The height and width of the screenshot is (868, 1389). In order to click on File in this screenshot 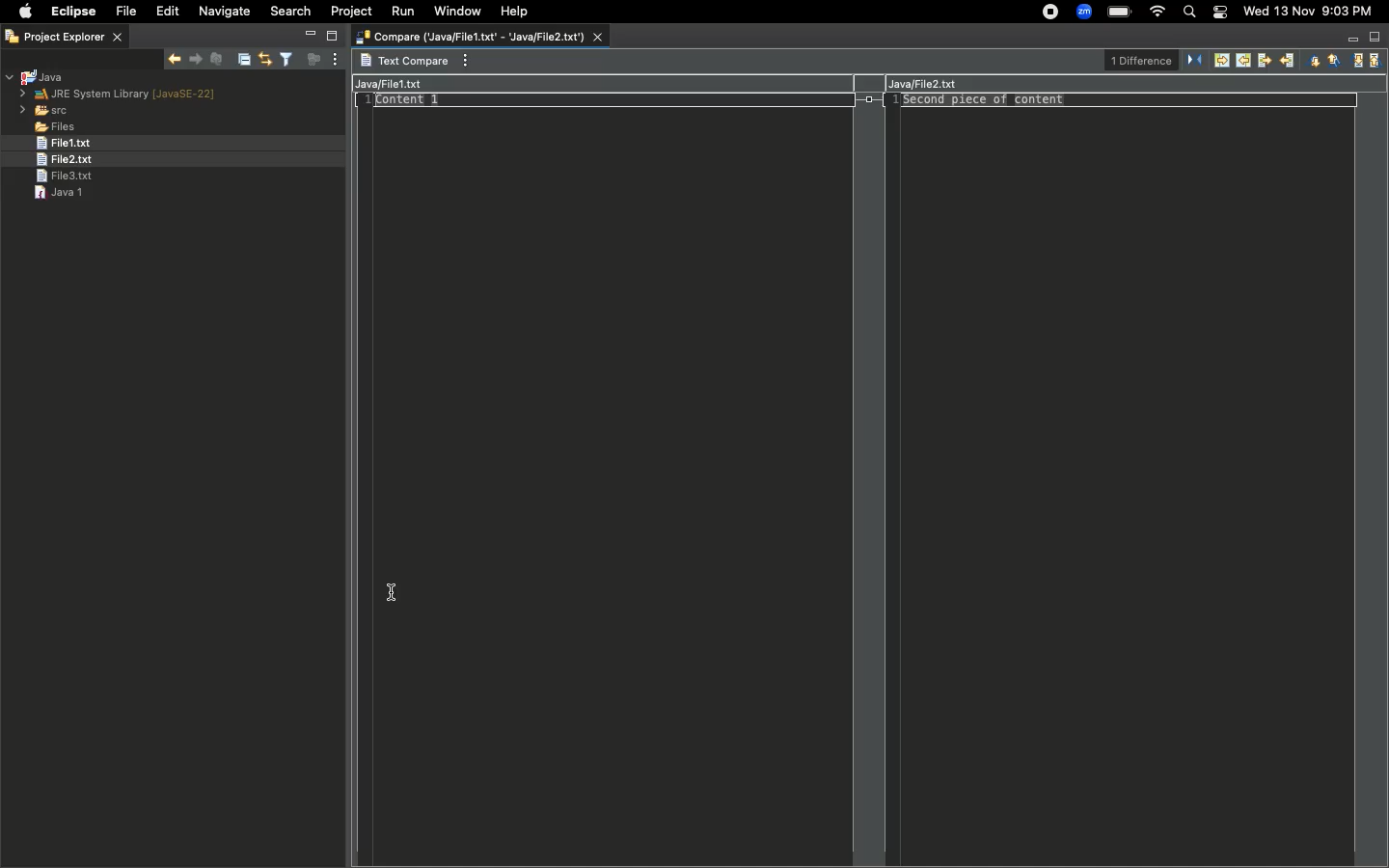, I will do `click(124, 12)`.